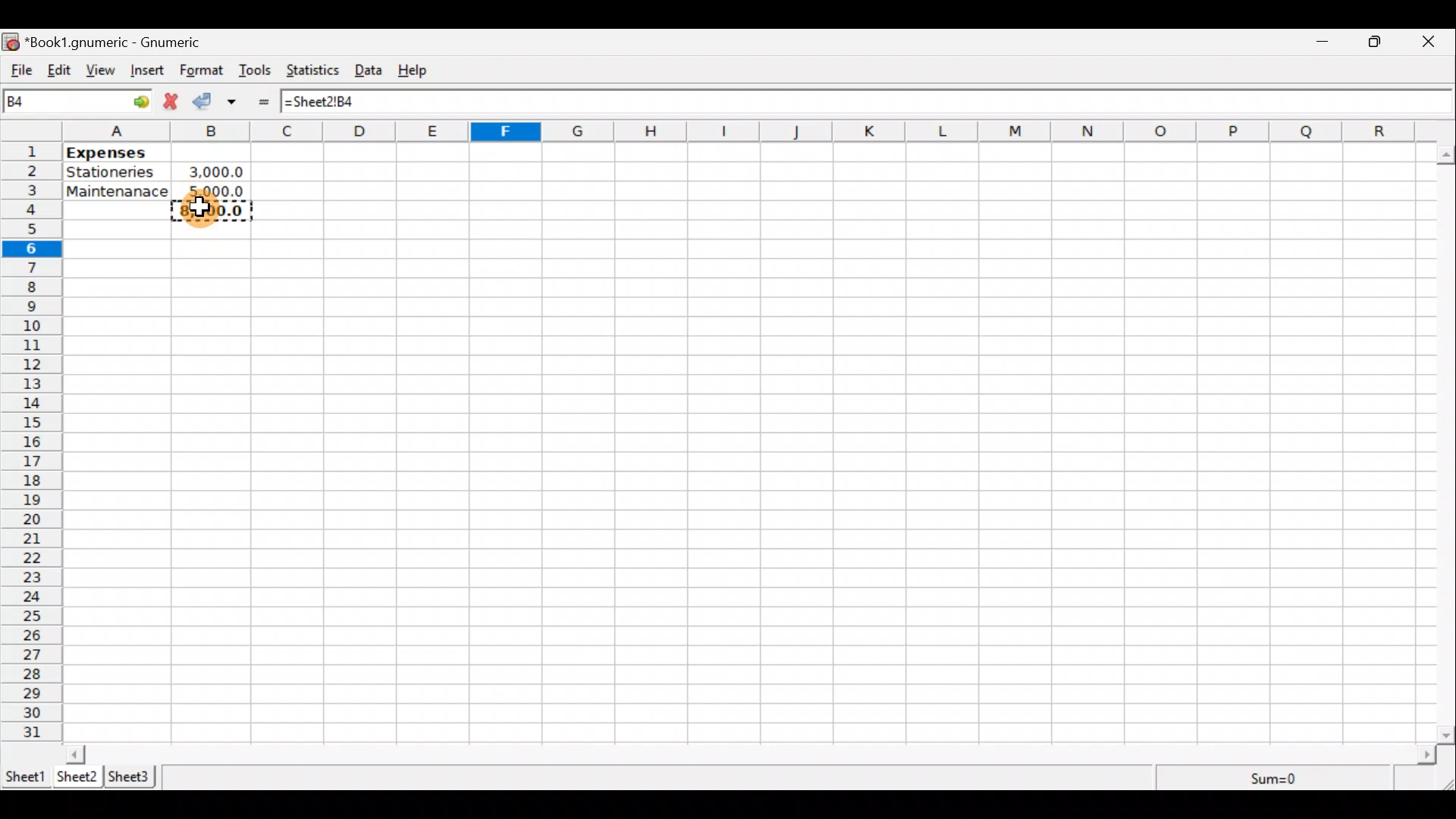 This screenshot has height=819, width=1456. What do you see at coordinates (202, 71) in the screenshot?
I see `Format` at bounding box center [202, 71].